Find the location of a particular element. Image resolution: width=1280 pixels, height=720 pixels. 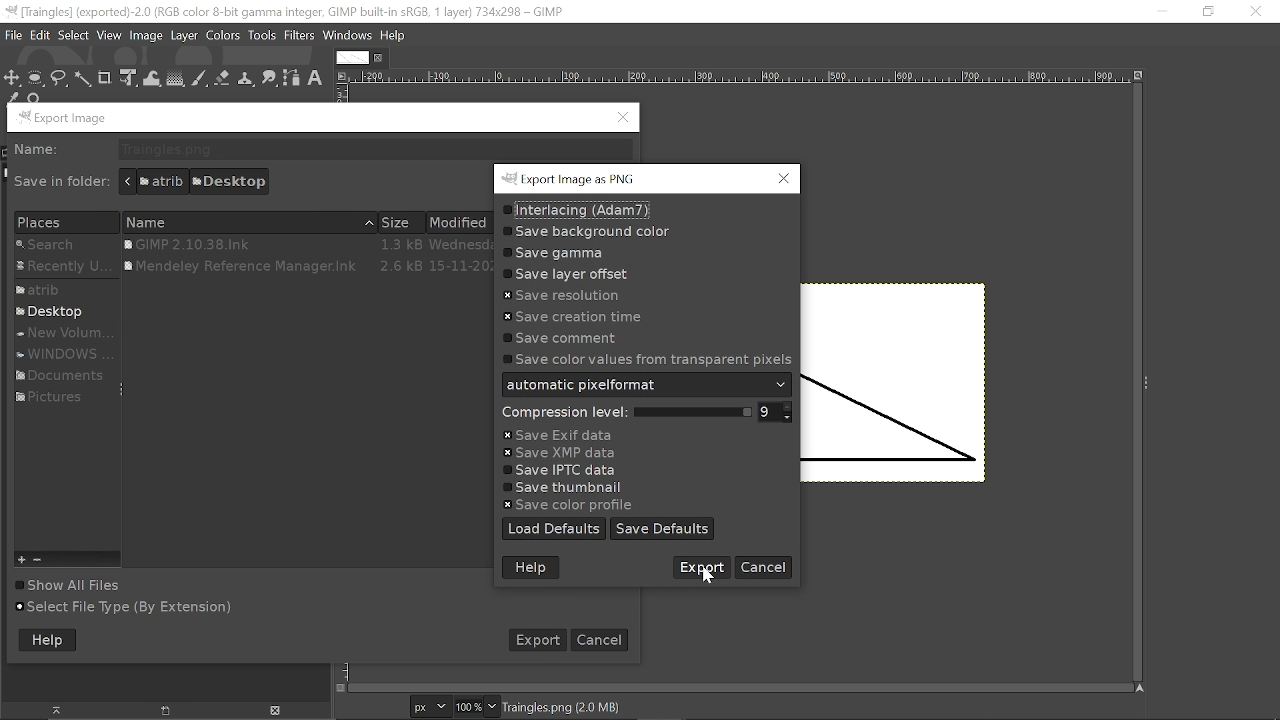

Save resolution is located at coordinates (565, 295).